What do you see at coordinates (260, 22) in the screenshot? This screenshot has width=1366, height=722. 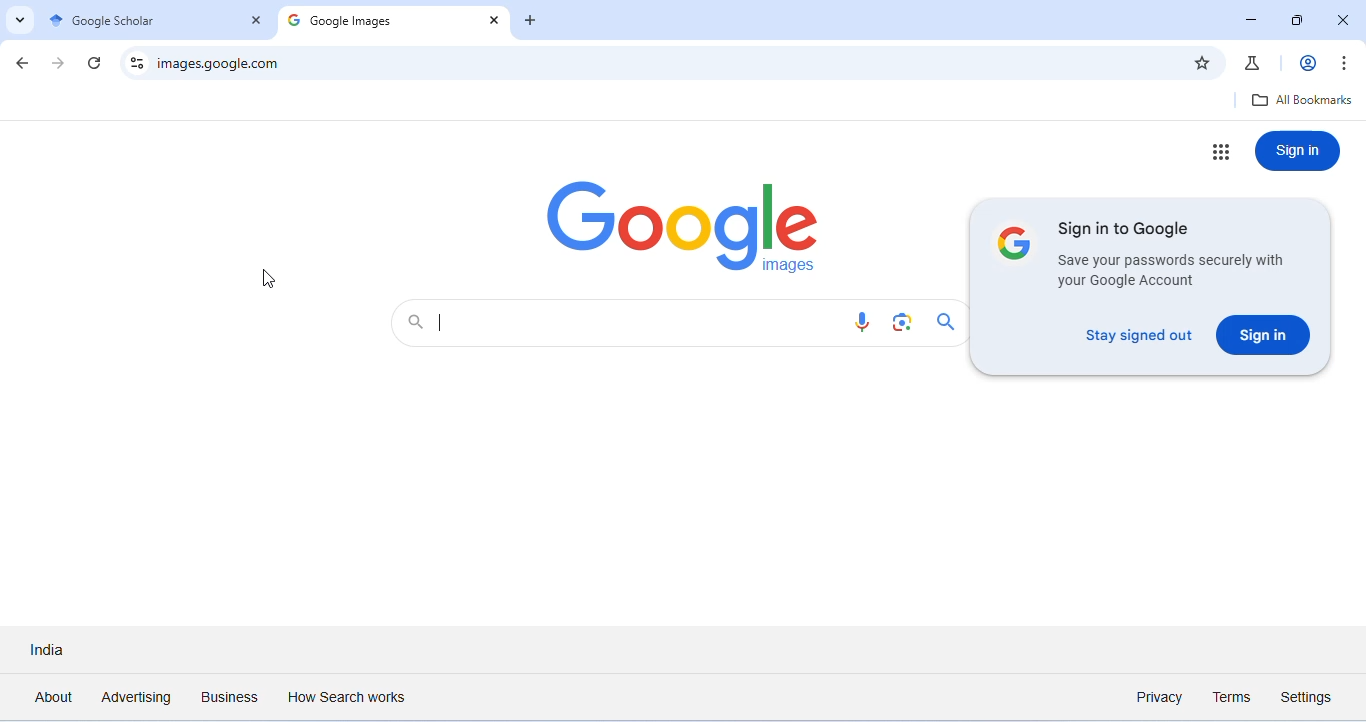 I see `close tab` at bounding box center [260, 22].